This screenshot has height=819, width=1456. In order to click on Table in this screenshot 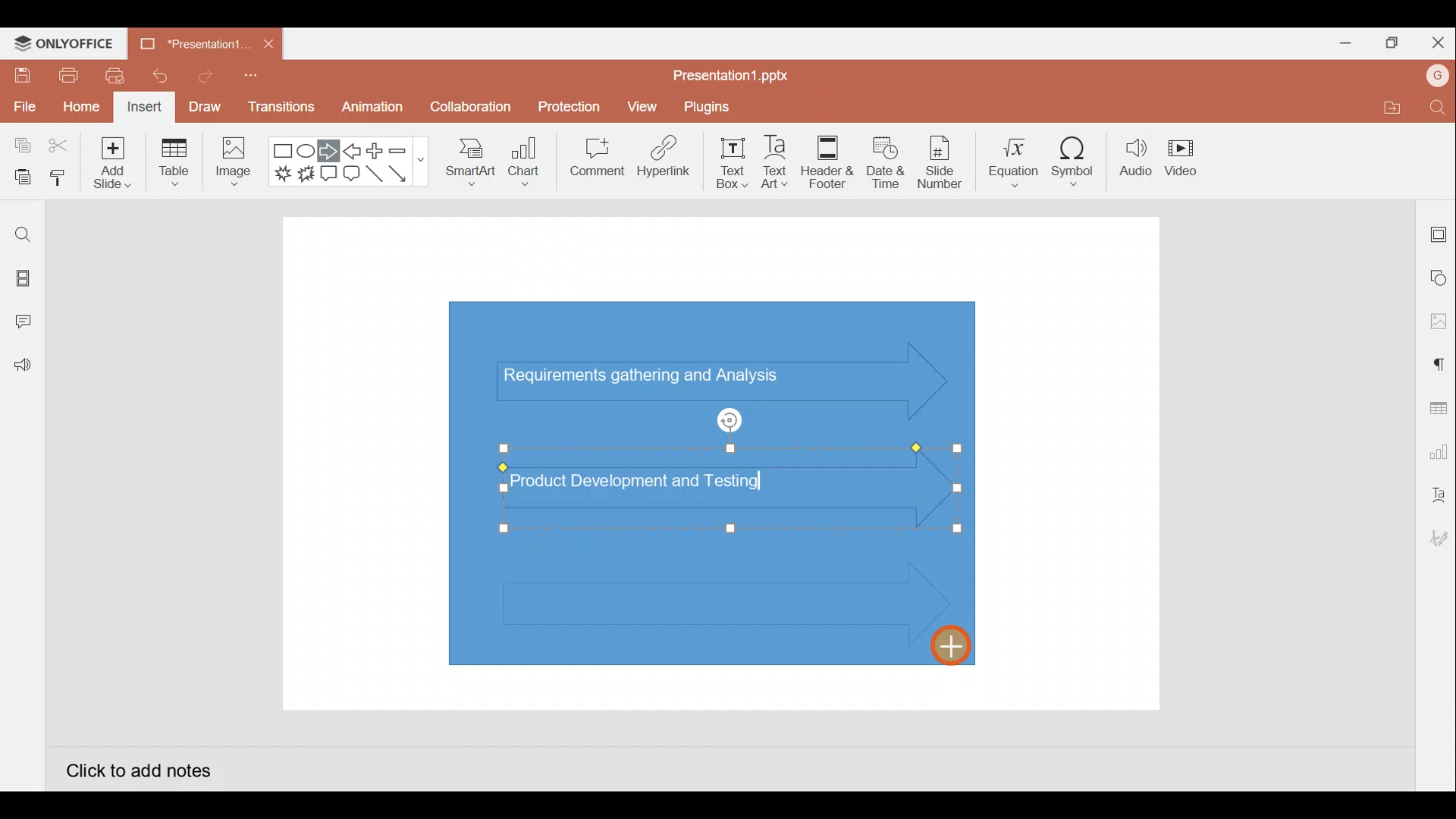, I will do `click(176, 164)`.